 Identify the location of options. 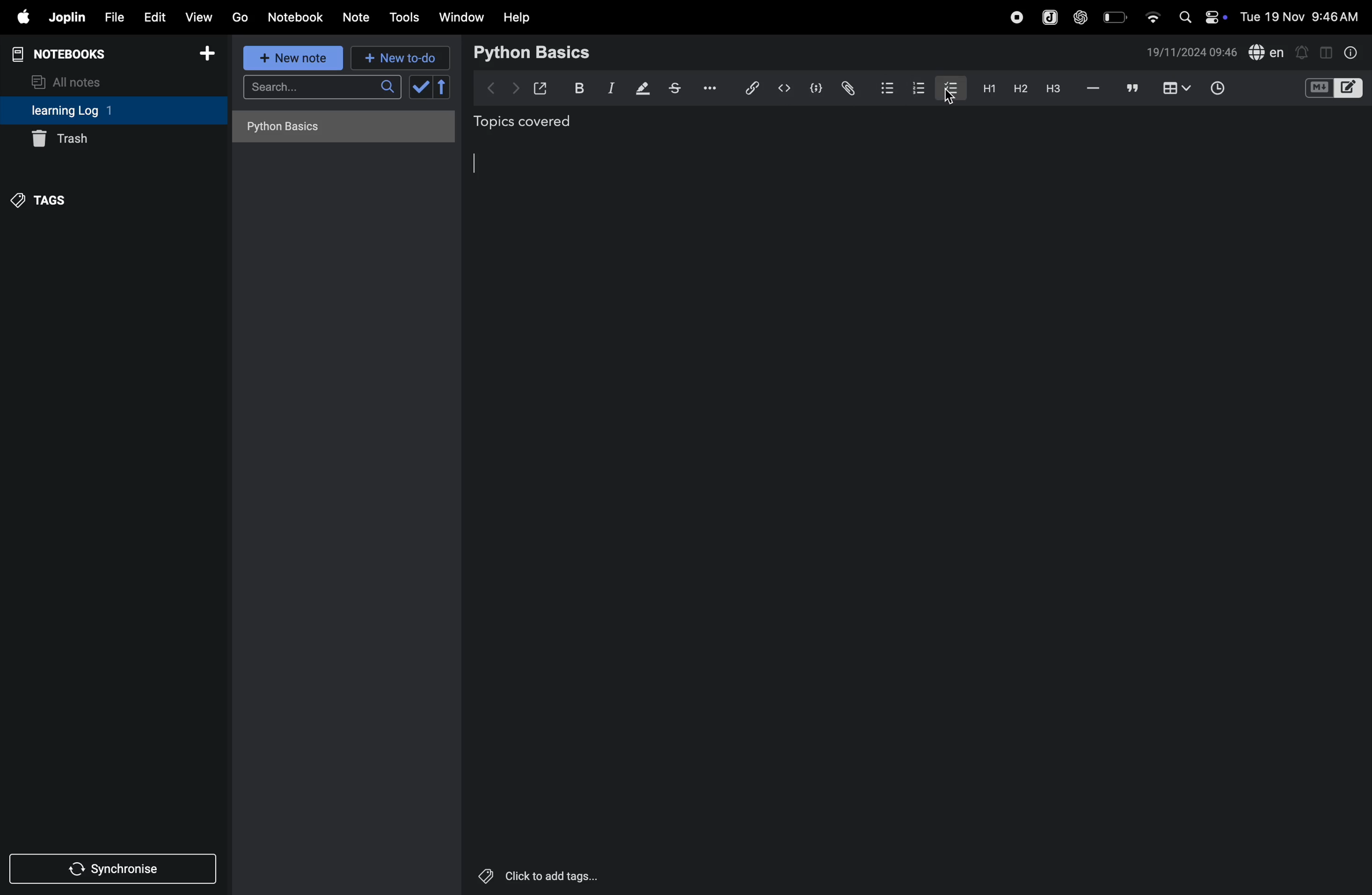
(707, 87).